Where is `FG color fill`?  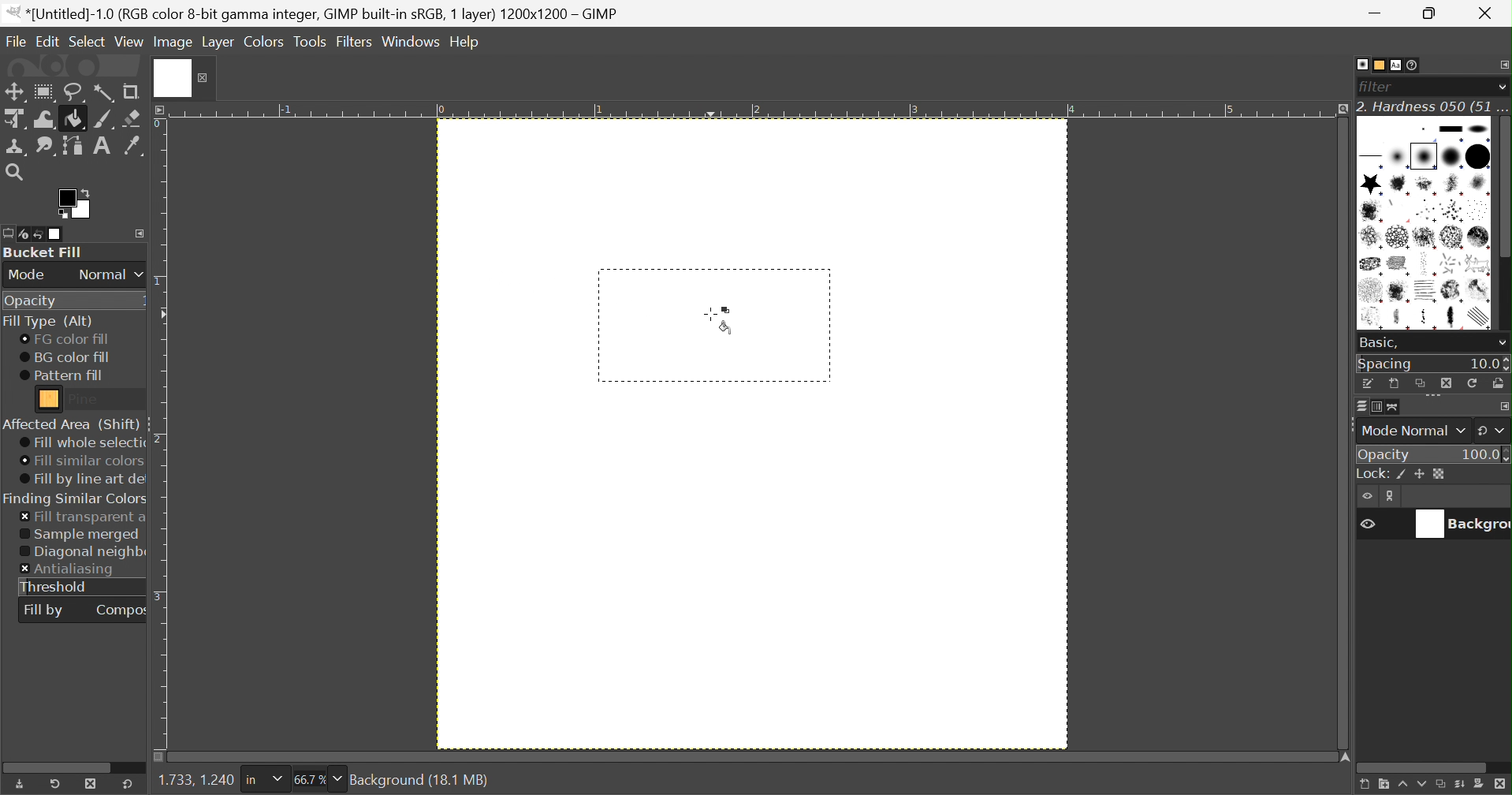 FG color fill is located at coordinates (63, 339).